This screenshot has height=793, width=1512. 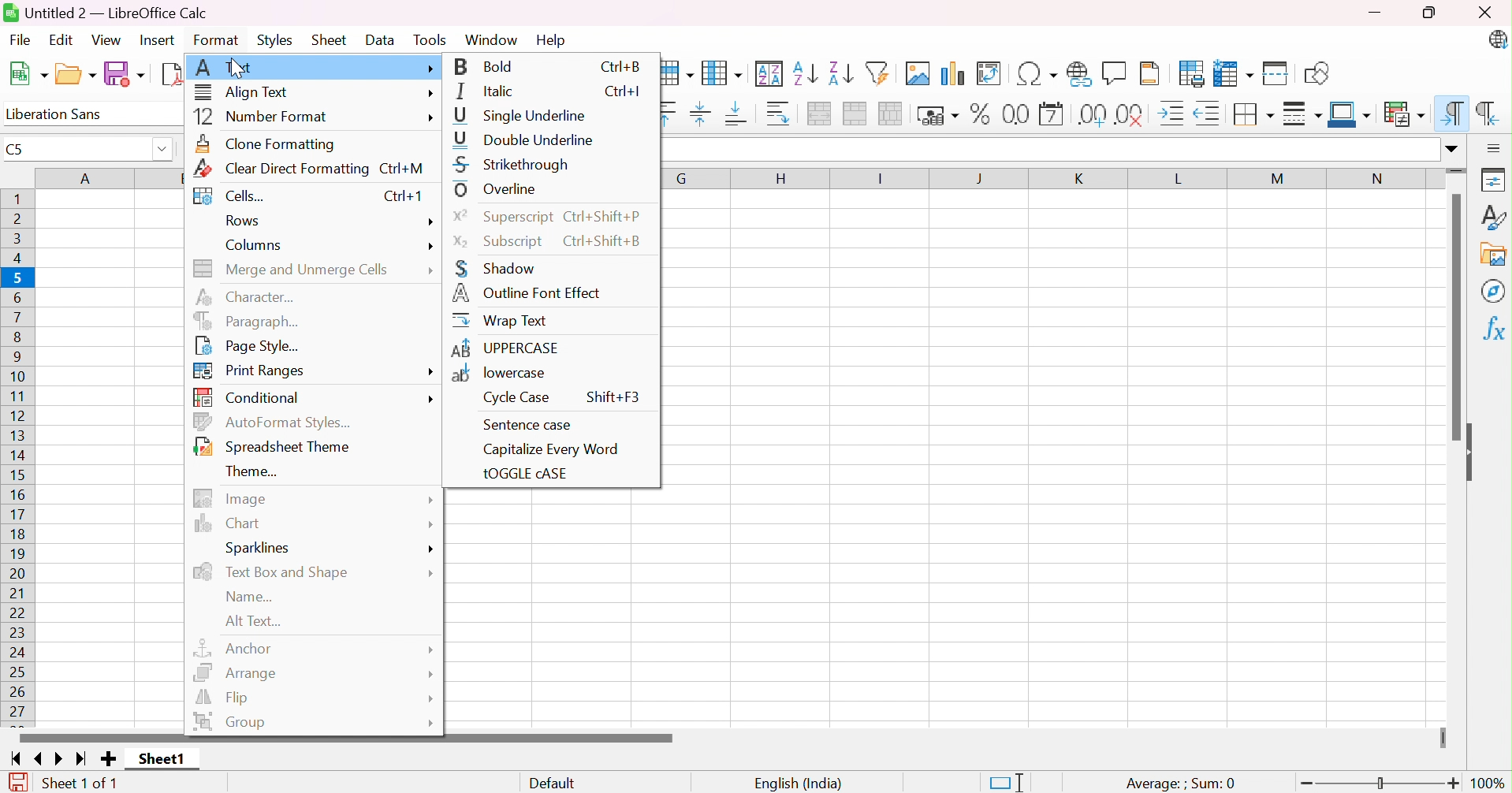 I want to click on More, so click(x=435, y=723).